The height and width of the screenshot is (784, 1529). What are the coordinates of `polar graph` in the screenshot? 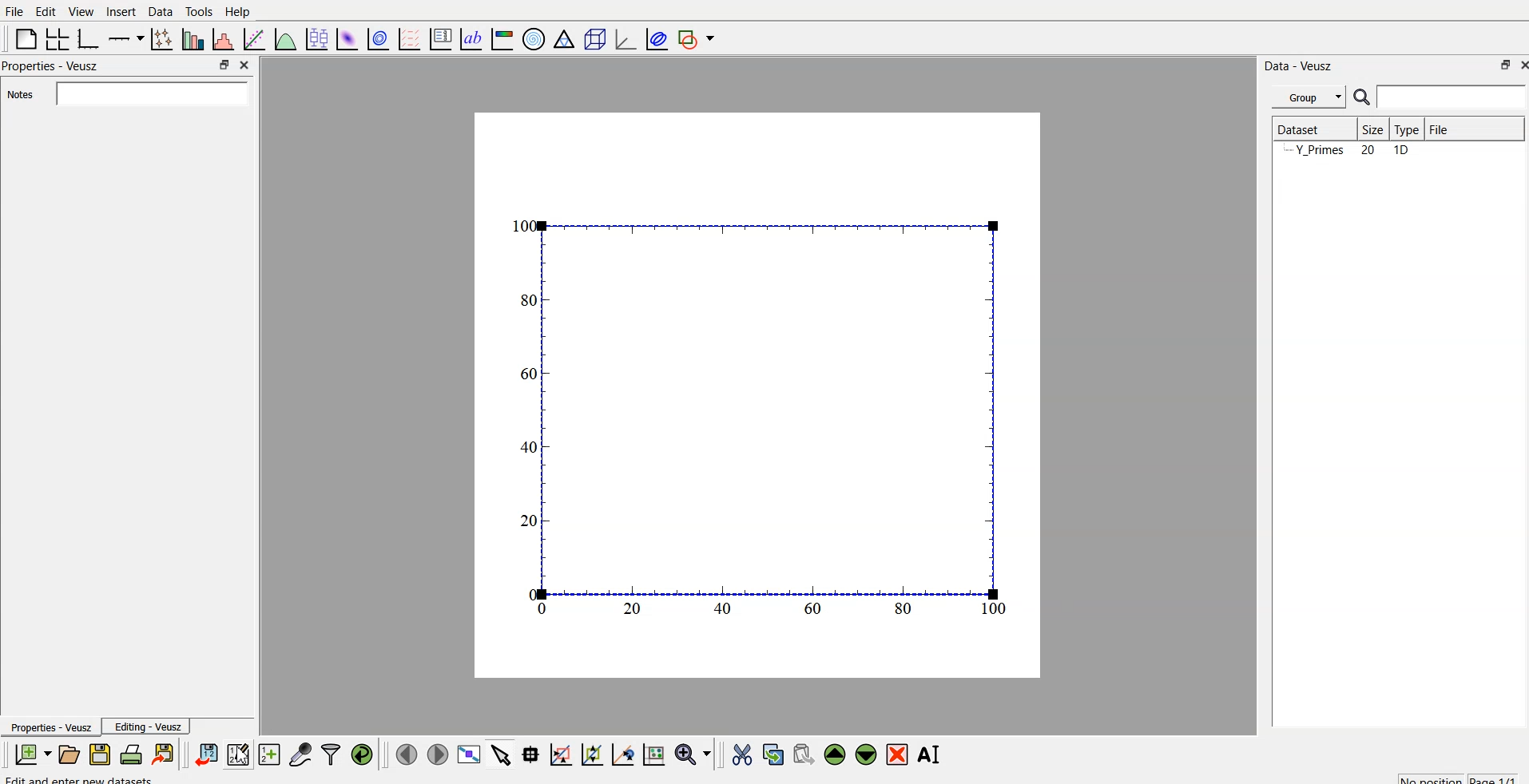 It's located at (536, 40).